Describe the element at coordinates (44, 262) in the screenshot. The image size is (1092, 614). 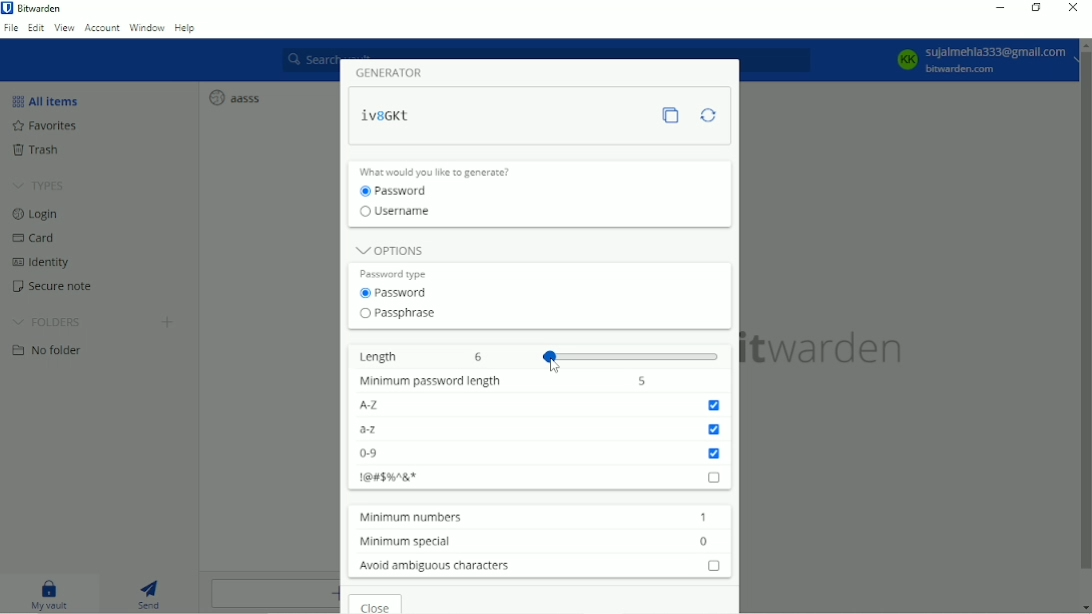
I see `Identity` at that location.